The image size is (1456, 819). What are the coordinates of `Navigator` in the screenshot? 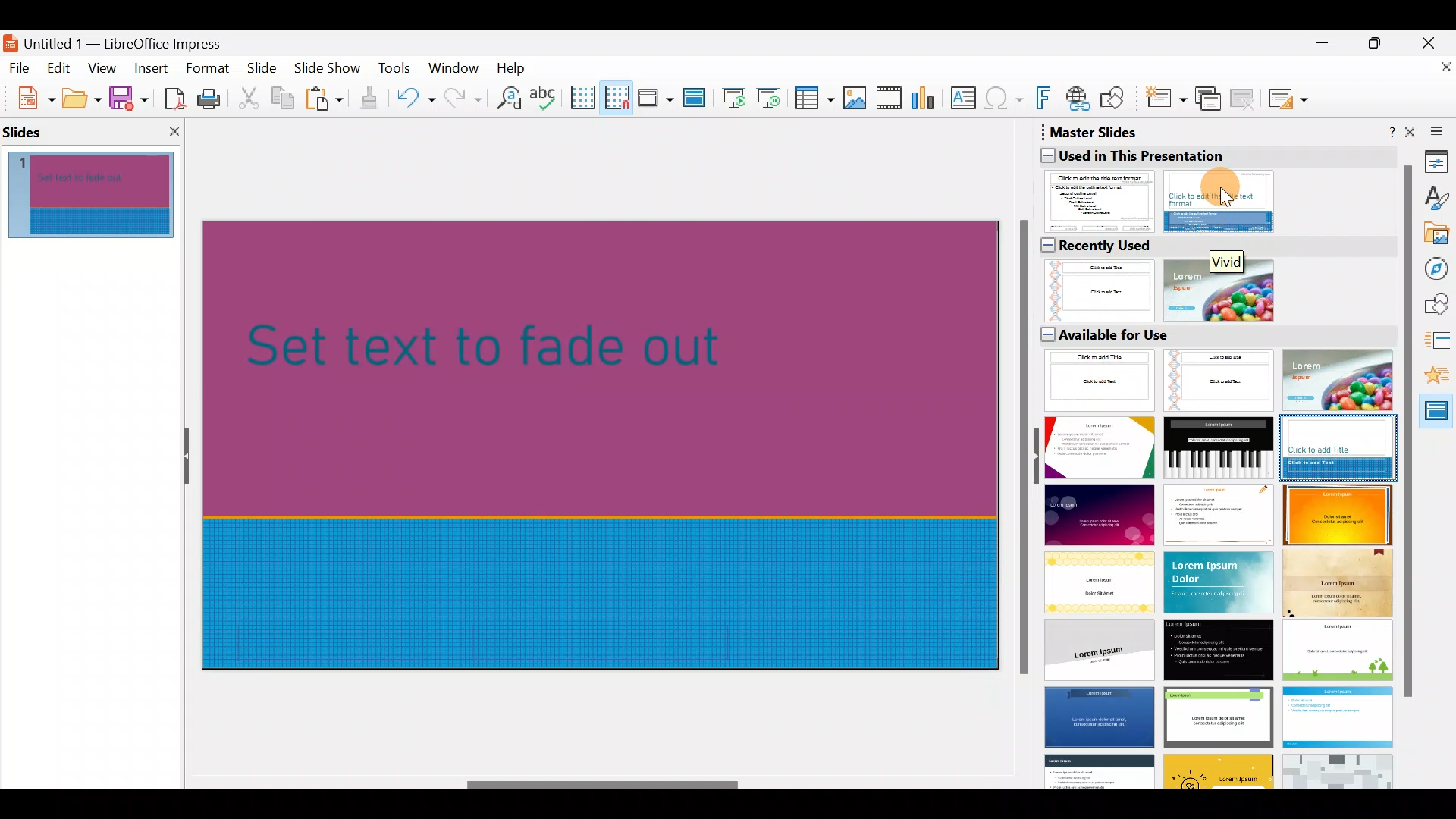 It's located at (1439, 269).